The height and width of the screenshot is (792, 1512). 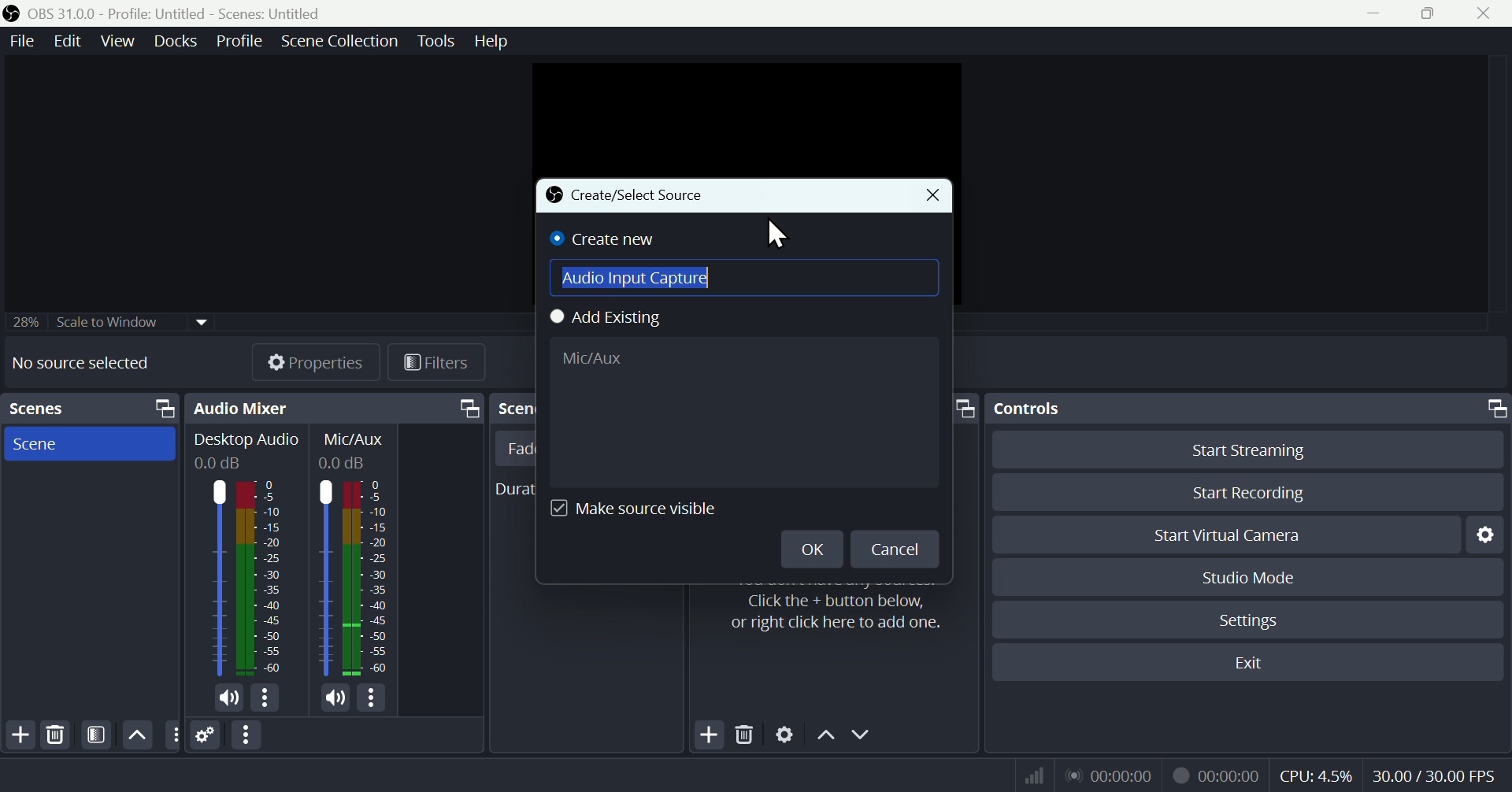 What do you see at coordinates (314, 362) in the screenshot?
I see `Properties` at bounding box center [314, 362].